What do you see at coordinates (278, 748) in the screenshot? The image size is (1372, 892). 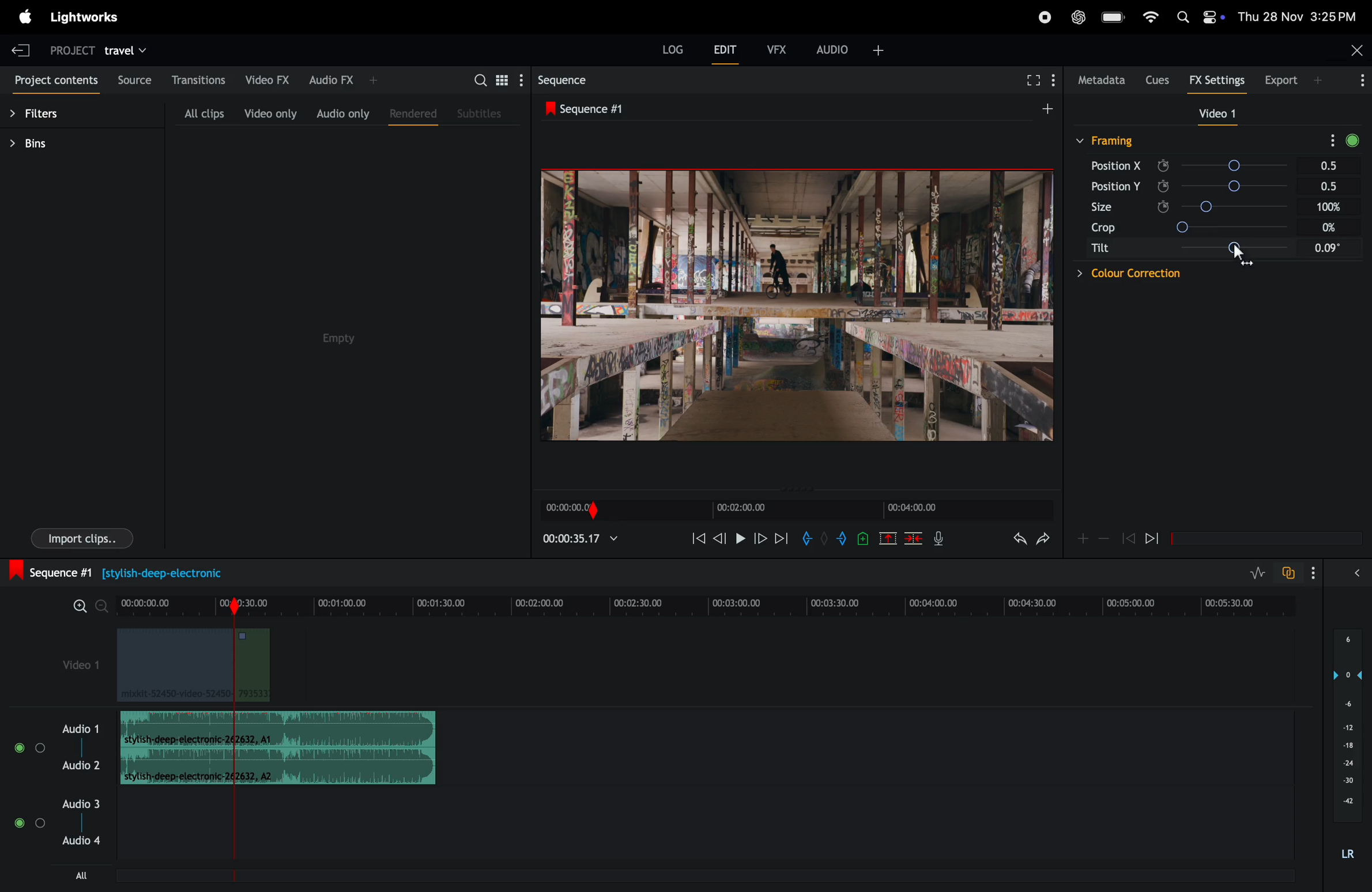 I see `audio clips` at bounding box center [278, 748].